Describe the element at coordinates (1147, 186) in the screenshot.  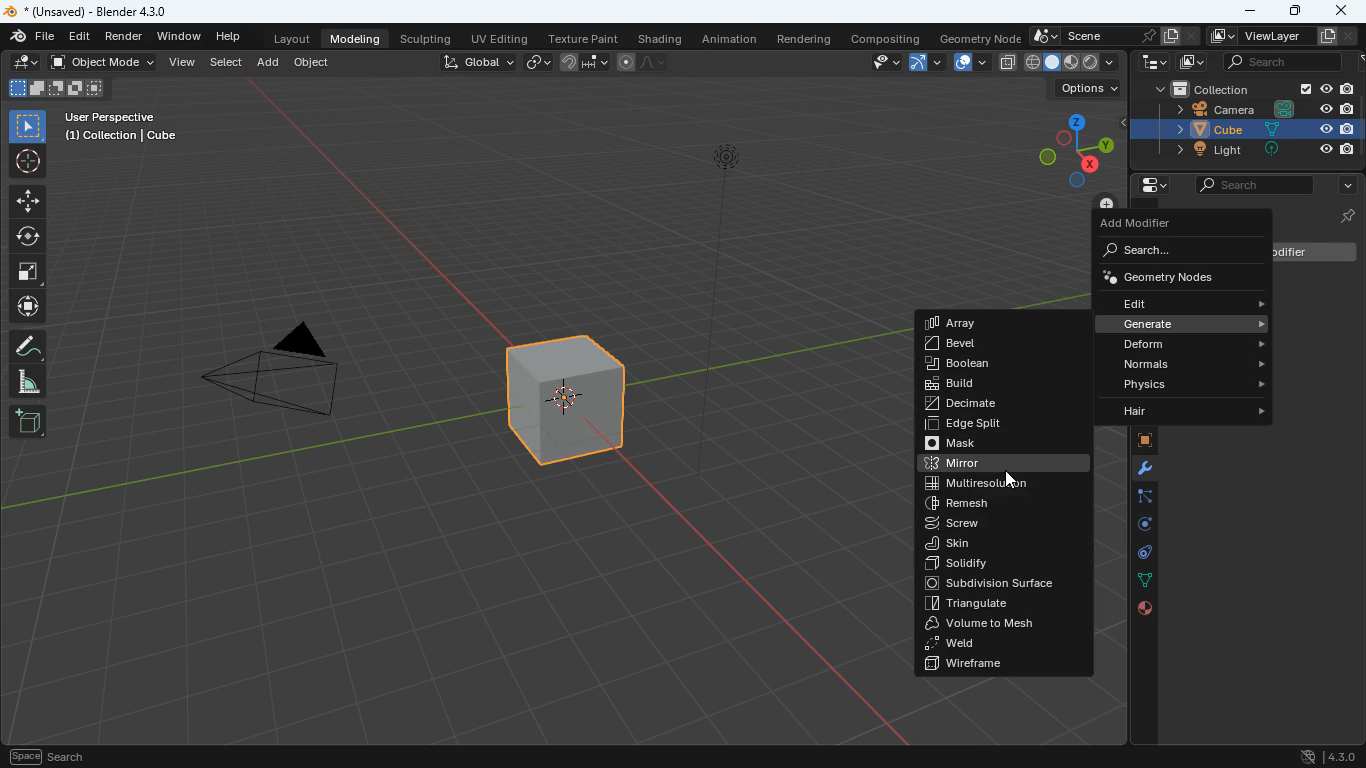
I see `settings` at that location.